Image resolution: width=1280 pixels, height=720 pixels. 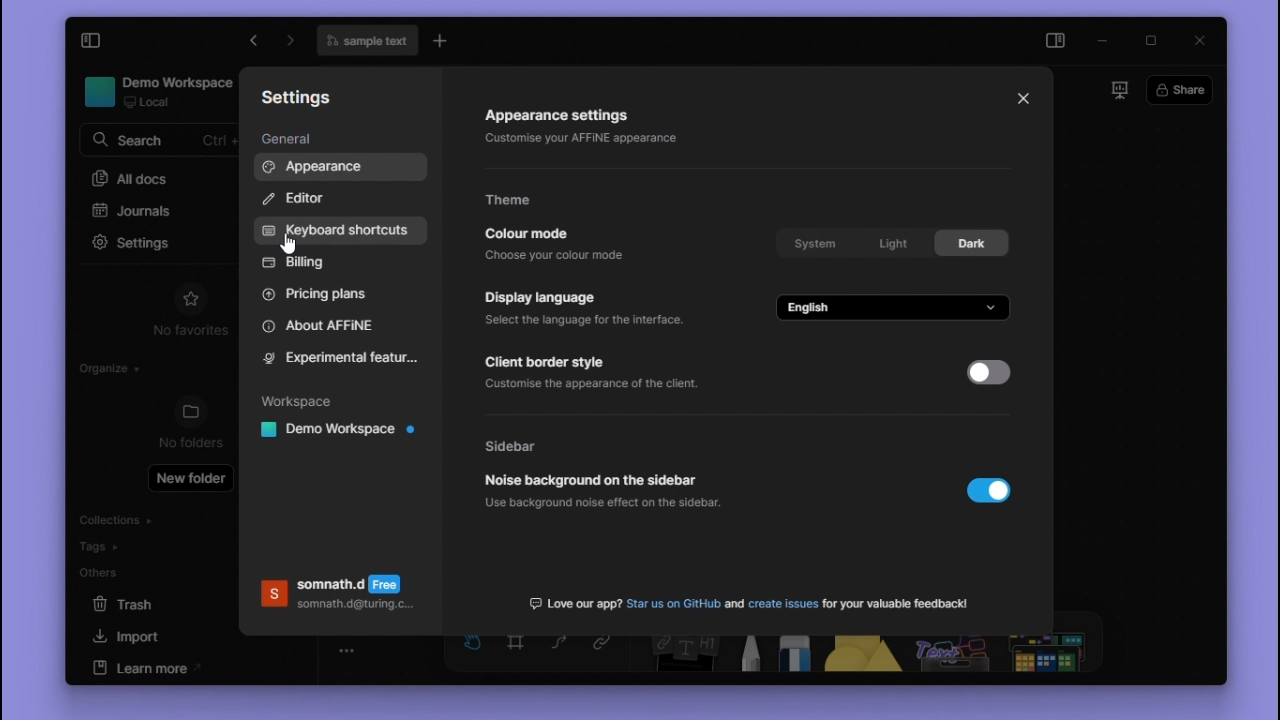 I want to click on side panel, so click(x=1058, y=40).